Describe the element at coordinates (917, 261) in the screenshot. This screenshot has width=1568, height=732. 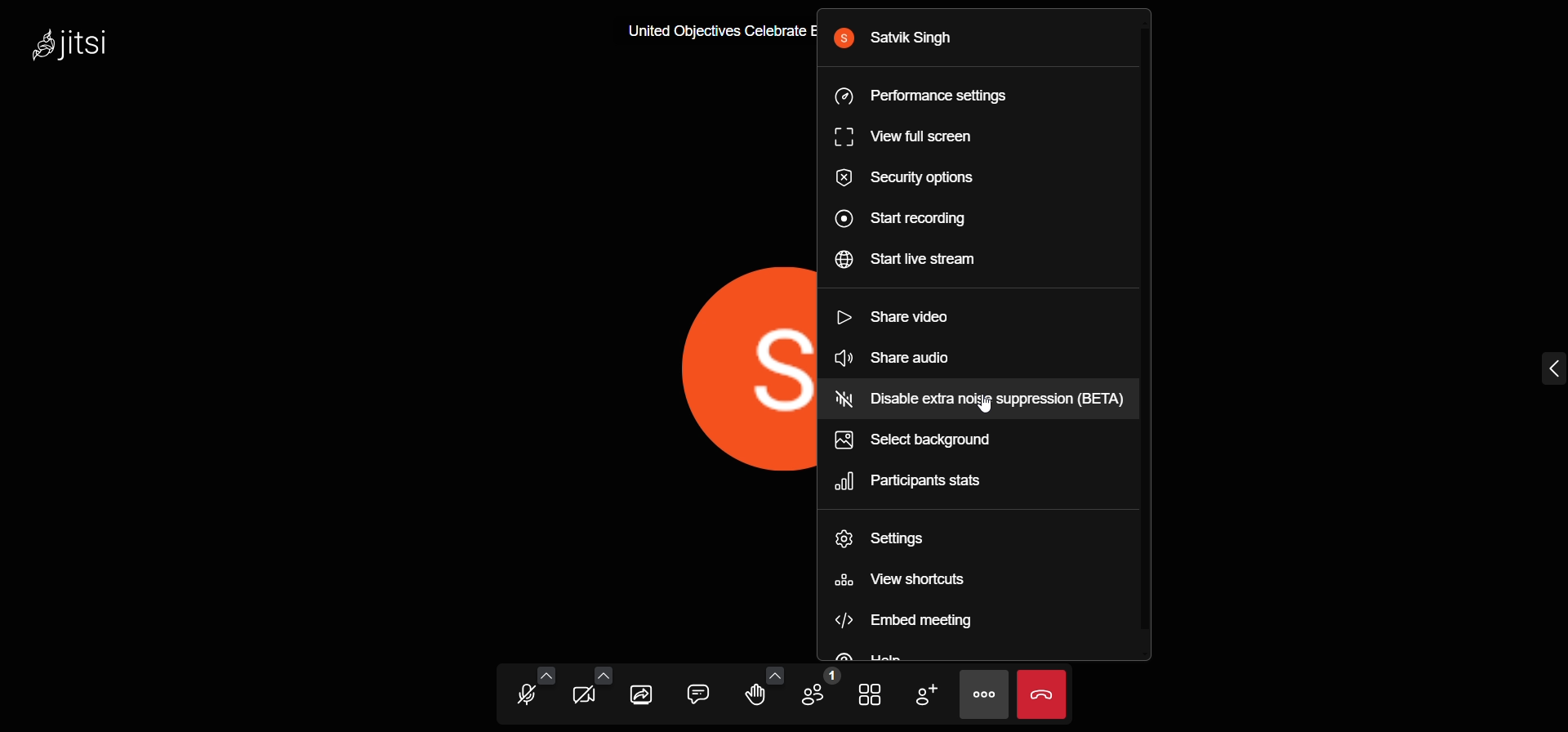
I see `start live stream` at that location.